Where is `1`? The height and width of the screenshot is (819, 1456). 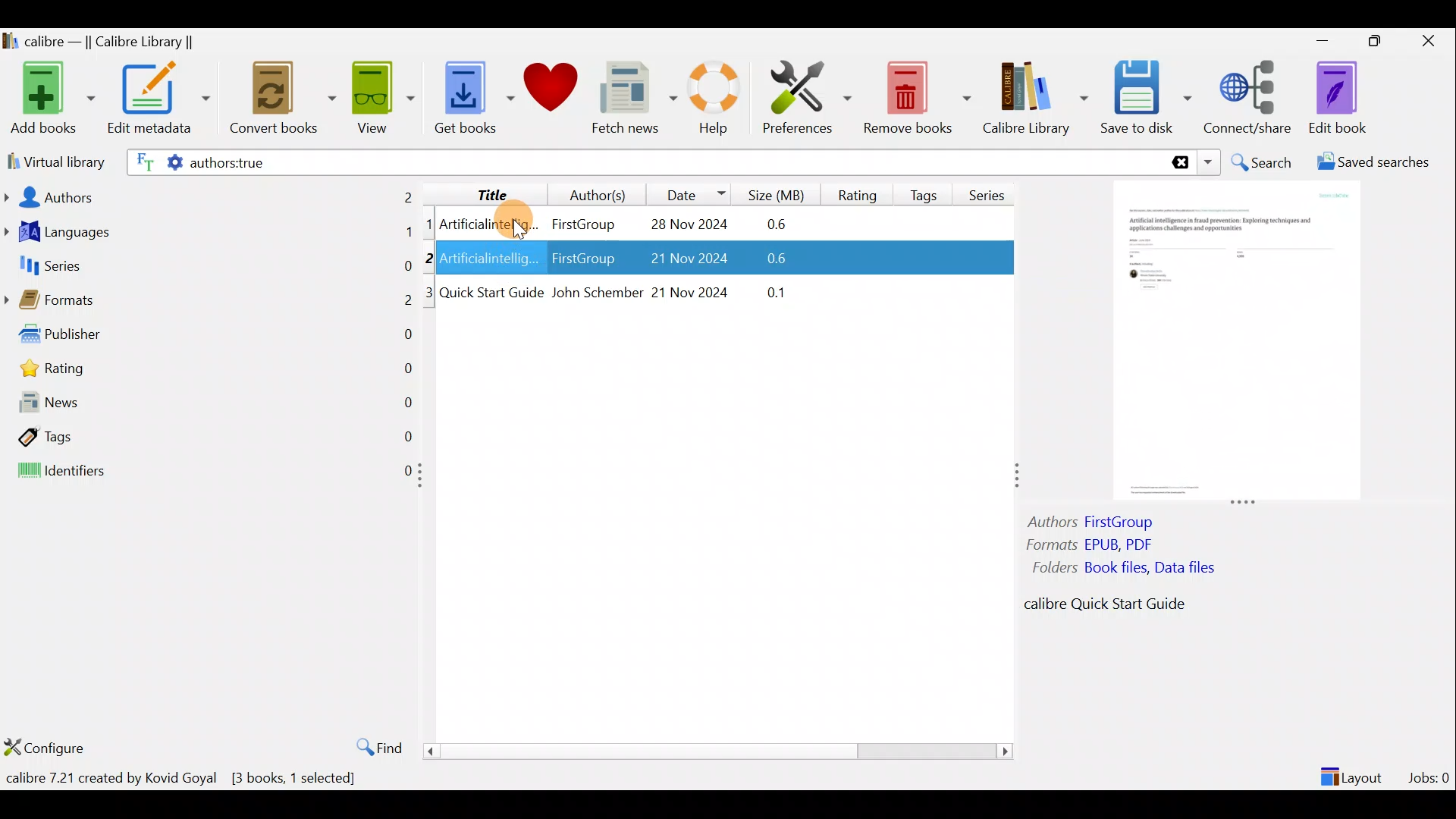
1 is located at coordinates (429, 225).